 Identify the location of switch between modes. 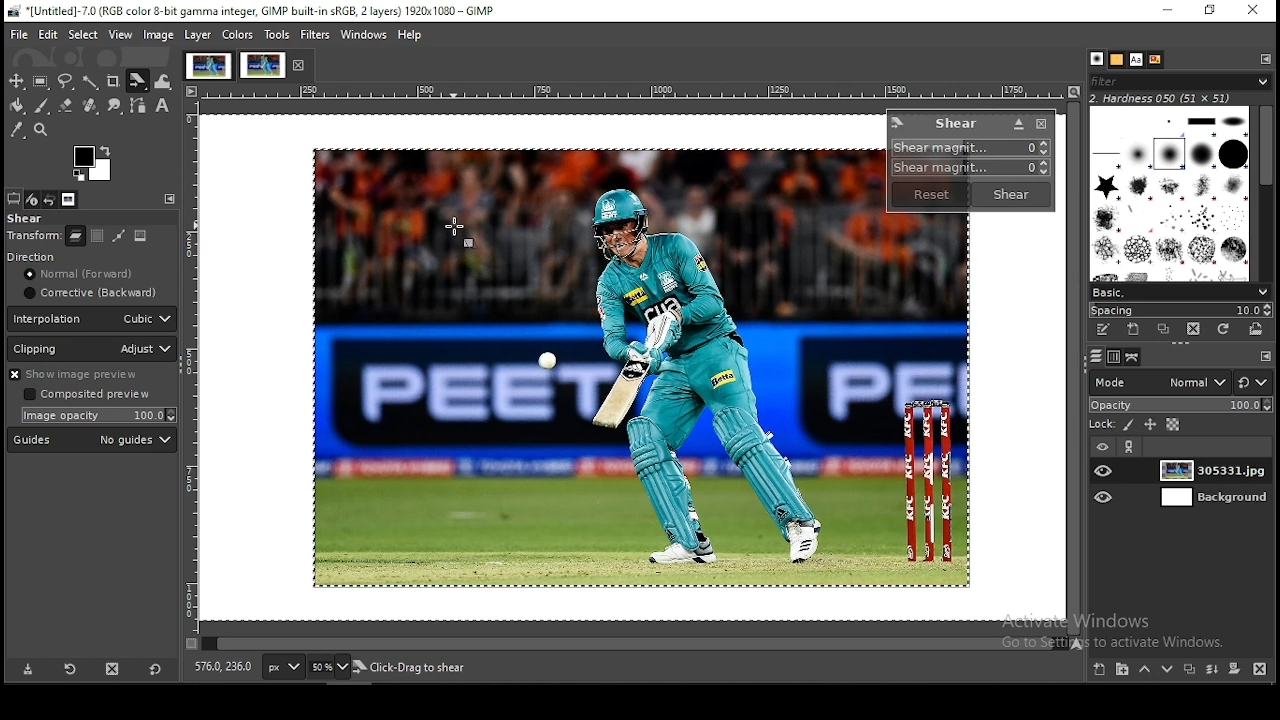
(1255, 383).